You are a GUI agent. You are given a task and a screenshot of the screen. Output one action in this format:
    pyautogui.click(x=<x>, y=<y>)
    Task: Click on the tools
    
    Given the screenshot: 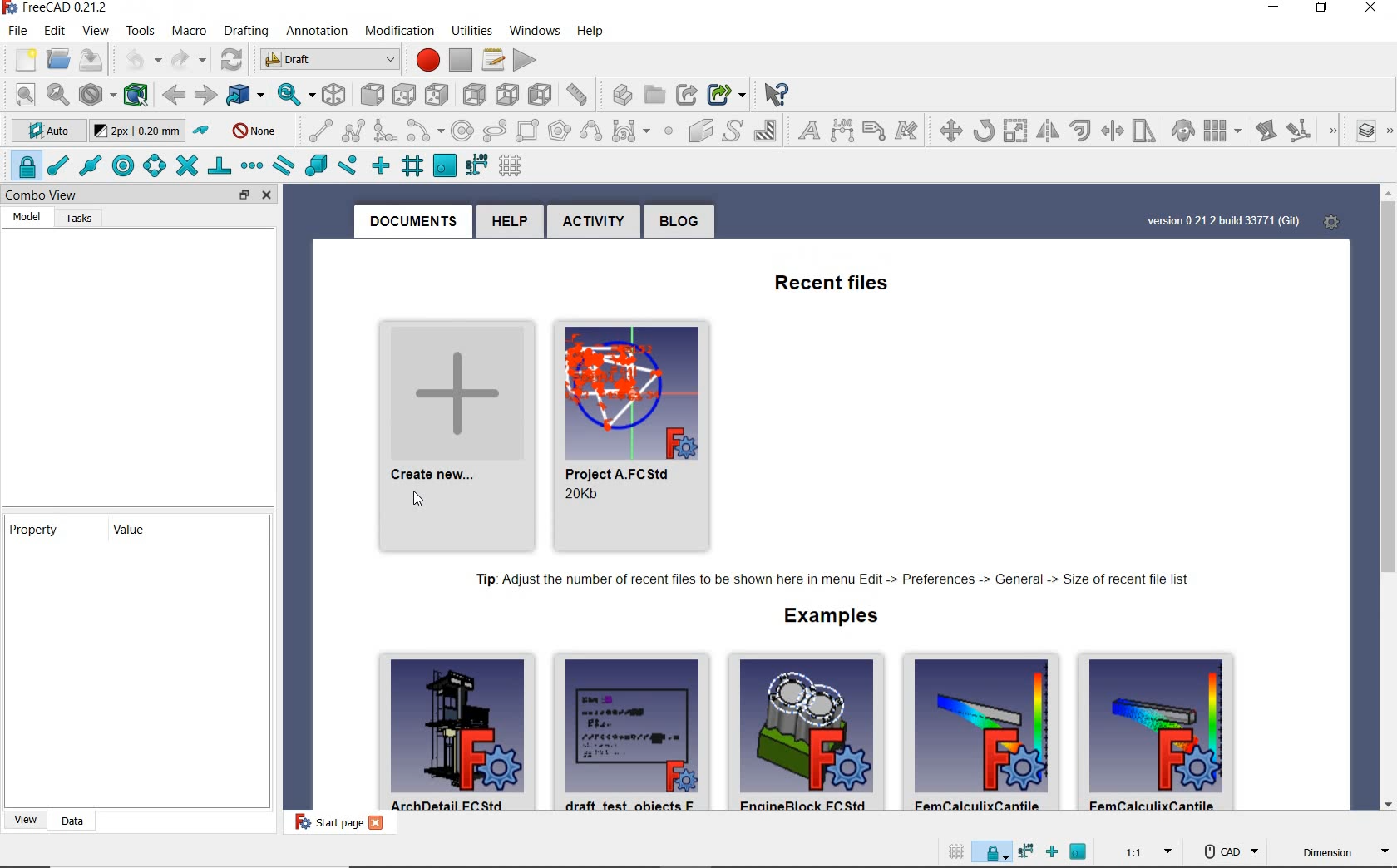 What is the action you would take?
    pyautogui.click(x=135, y=31)
    